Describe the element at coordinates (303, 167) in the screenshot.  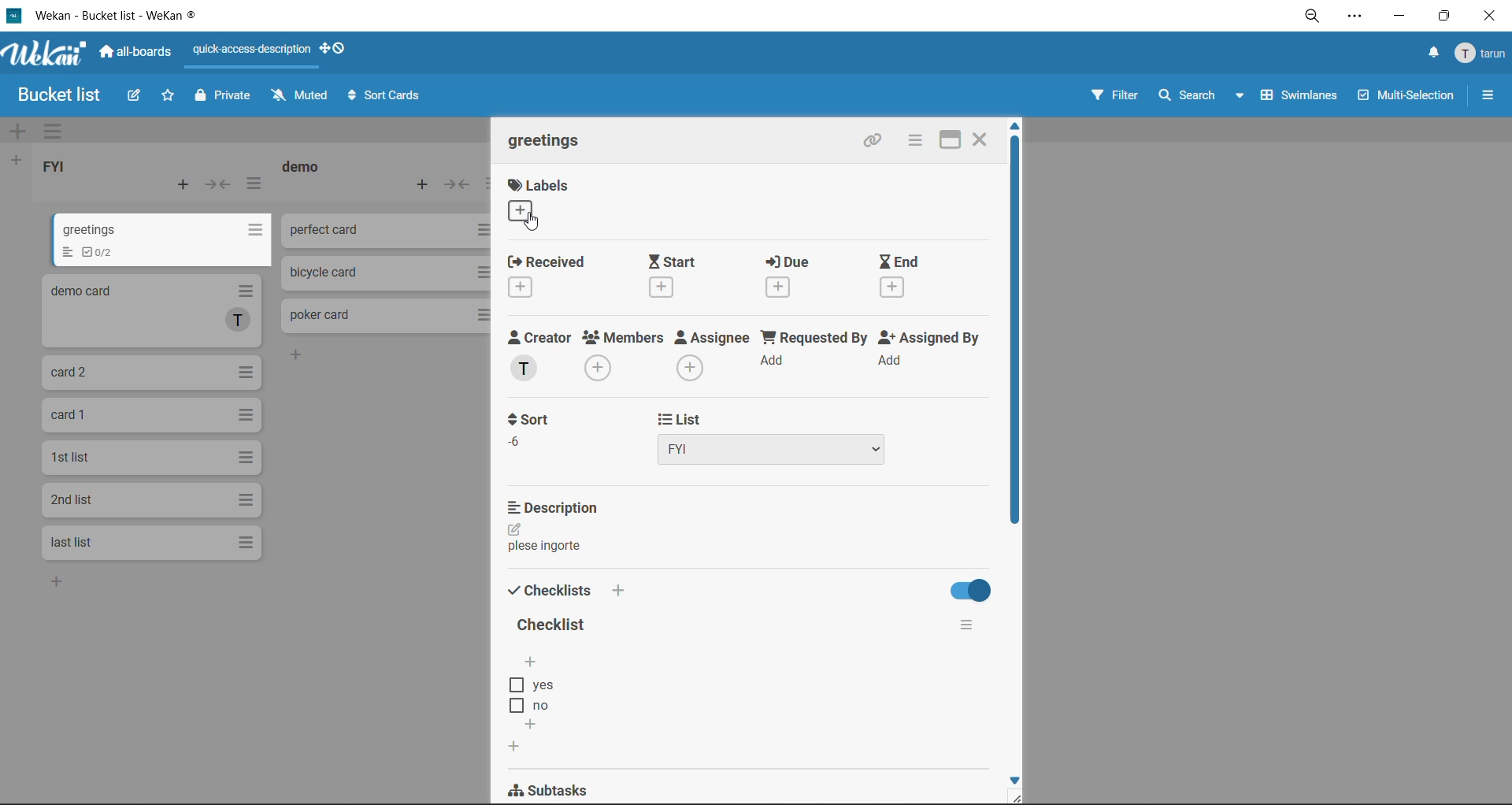
I see `list title` at that location.